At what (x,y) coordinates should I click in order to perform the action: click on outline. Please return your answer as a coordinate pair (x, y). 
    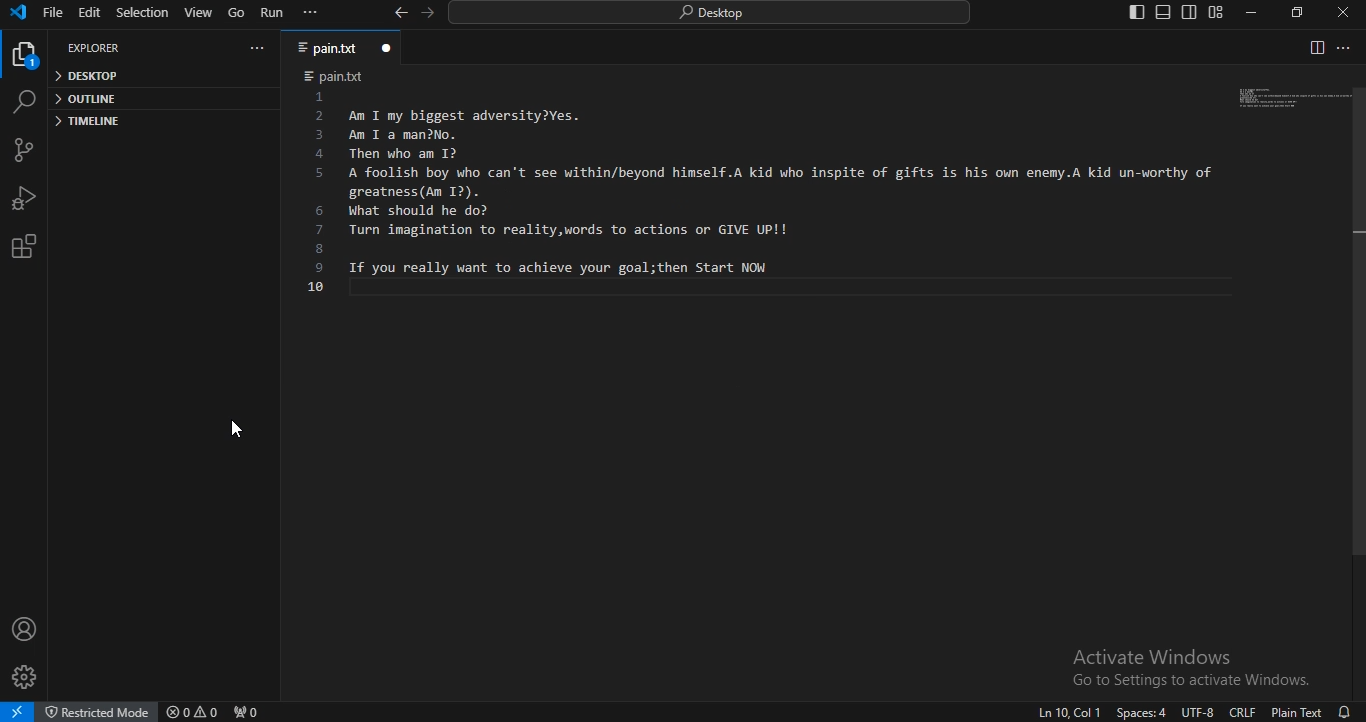
    Looking at the image, I should click on (88, 99).